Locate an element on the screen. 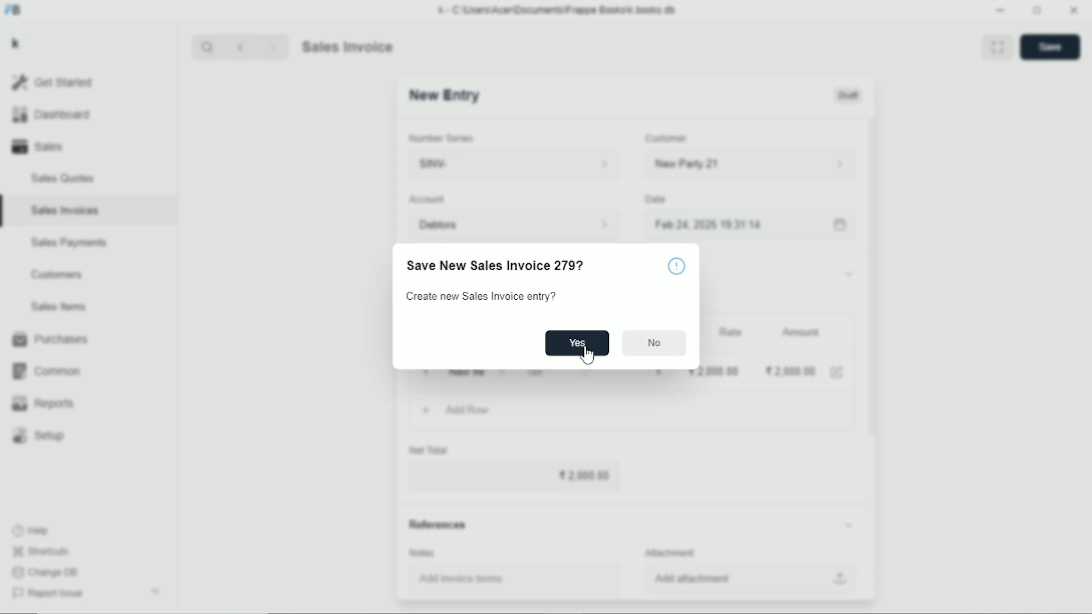 This screenshot has height=614, width=1092. Add invoice items is located at coordinates (459, 578).